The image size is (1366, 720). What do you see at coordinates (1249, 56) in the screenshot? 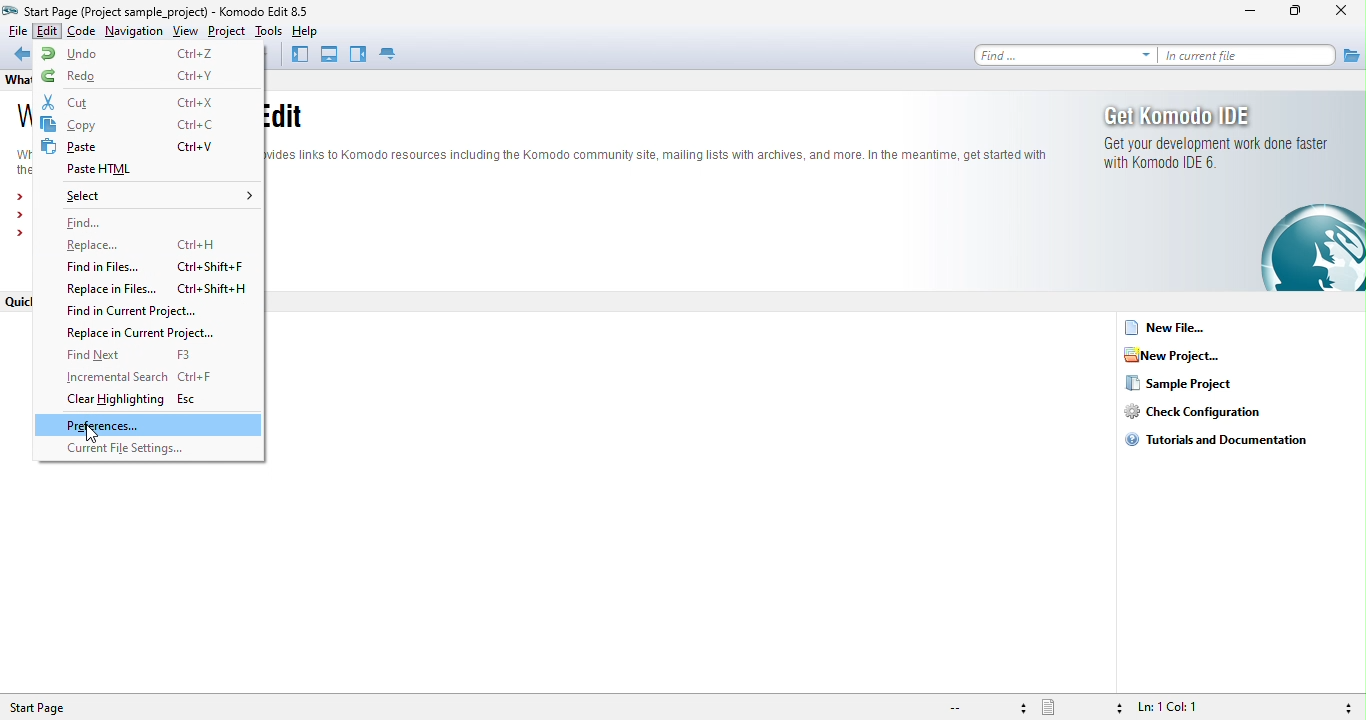
I see `in current file` at bounding box center [1249, 56].